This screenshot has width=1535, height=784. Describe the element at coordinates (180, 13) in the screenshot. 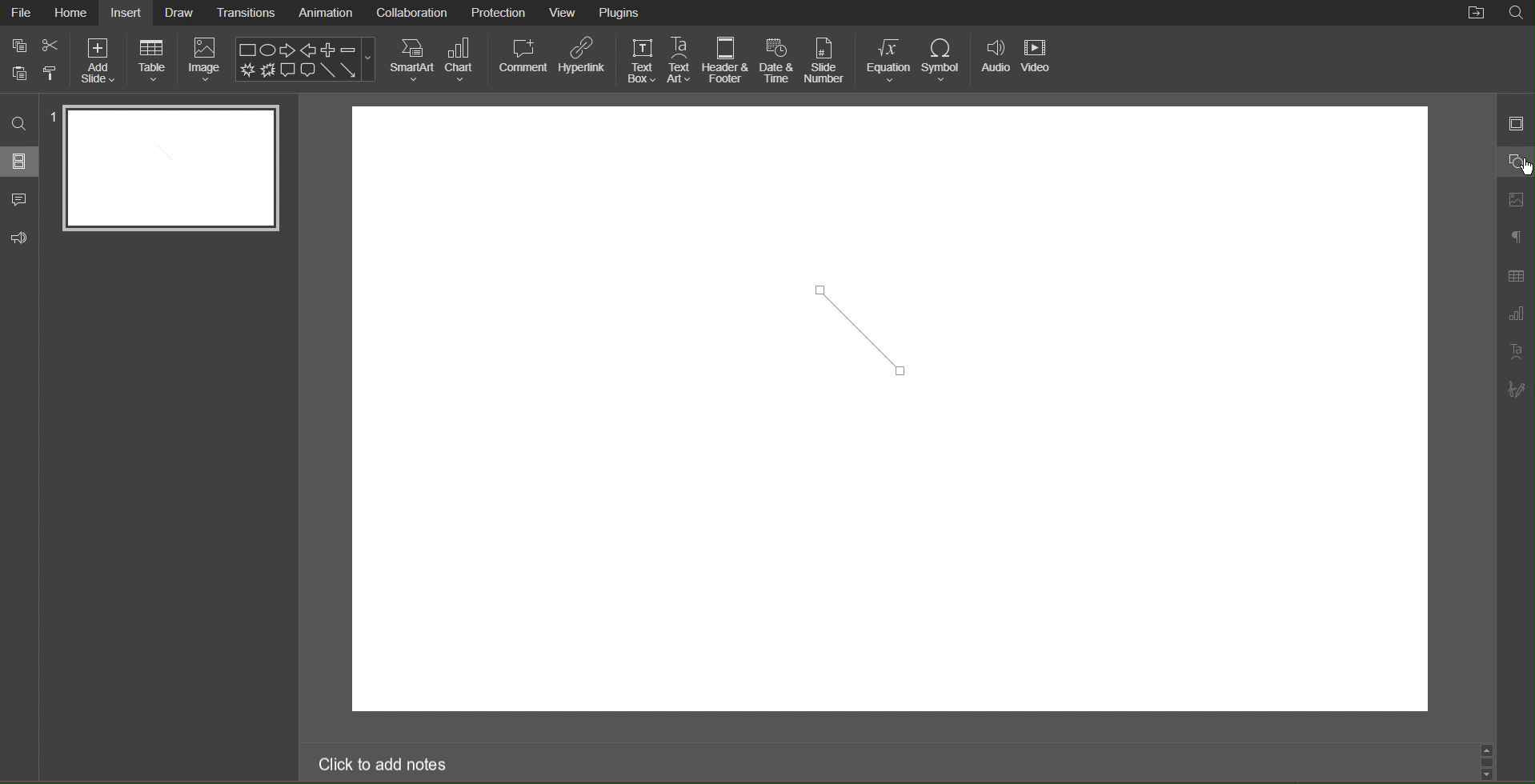

I see `Draw` at that location.